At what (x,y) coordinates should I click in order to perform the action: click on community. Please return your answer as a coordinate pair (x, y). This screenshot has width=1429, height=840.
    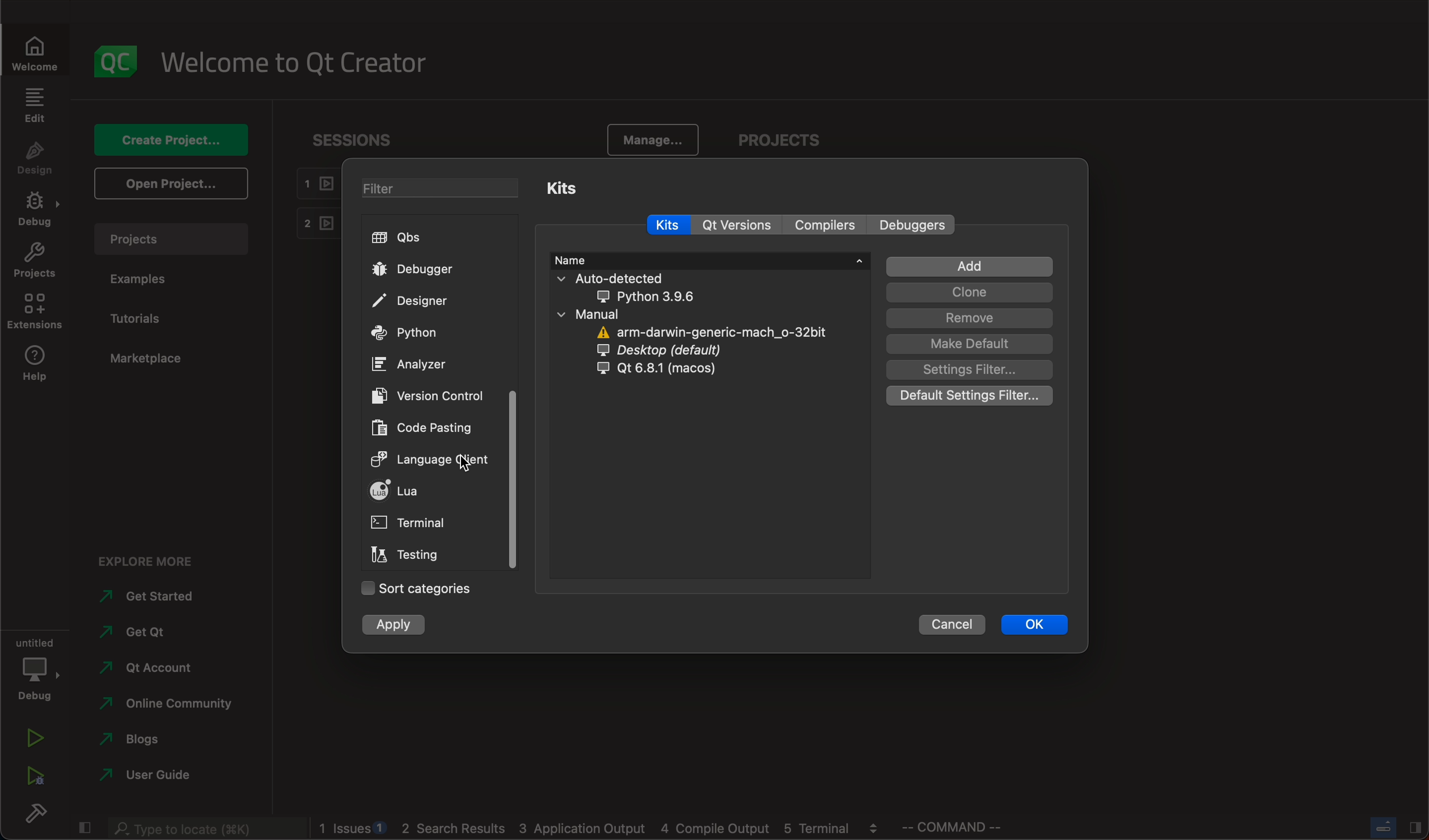
    Looking at the image, I should click on (173, 707).